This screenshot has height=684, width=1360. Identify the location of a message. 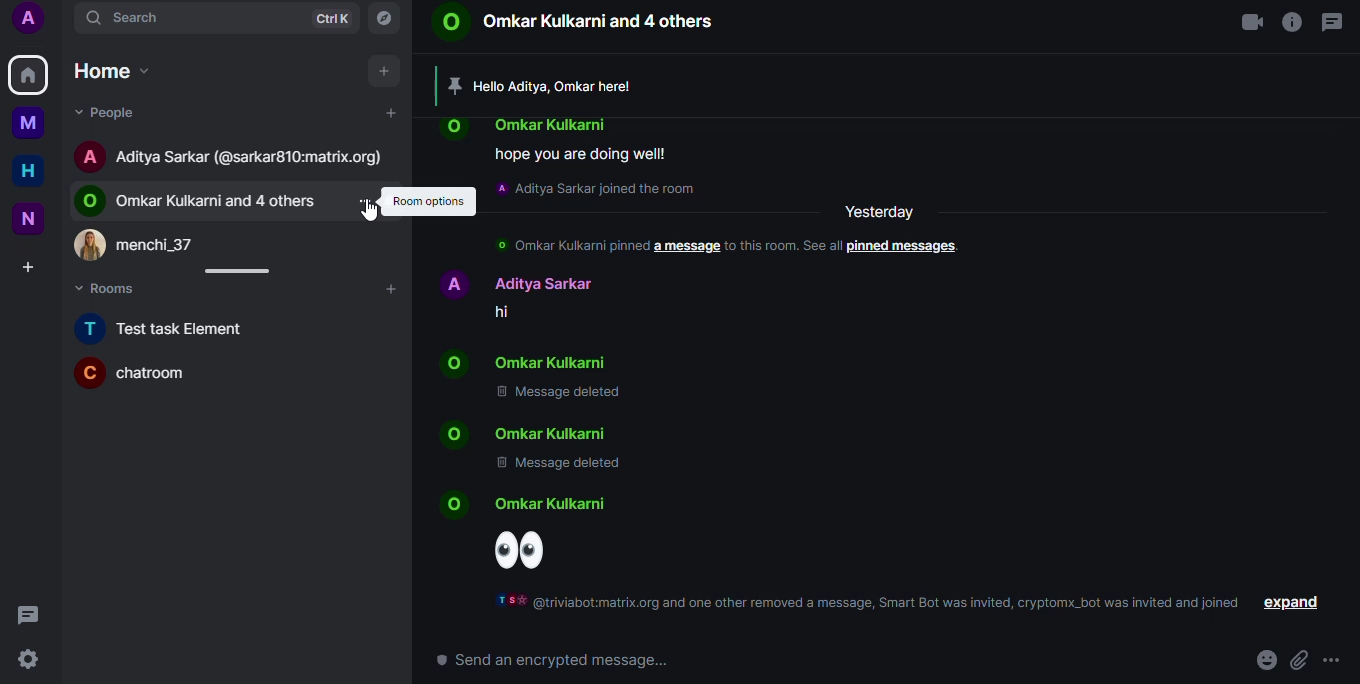
(684, 247).